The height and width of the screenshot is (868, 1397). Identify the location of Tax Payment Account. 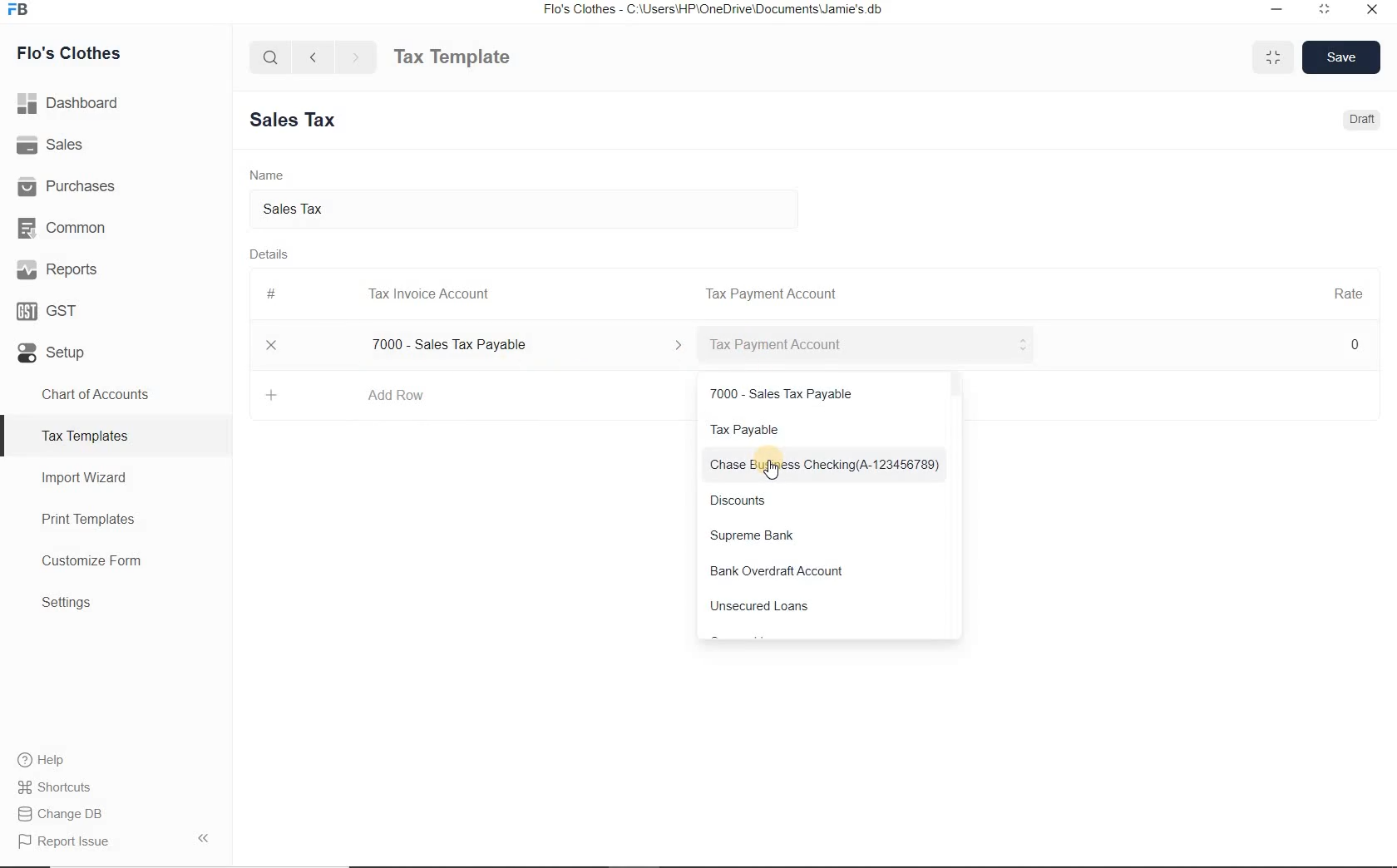
(769, 294).